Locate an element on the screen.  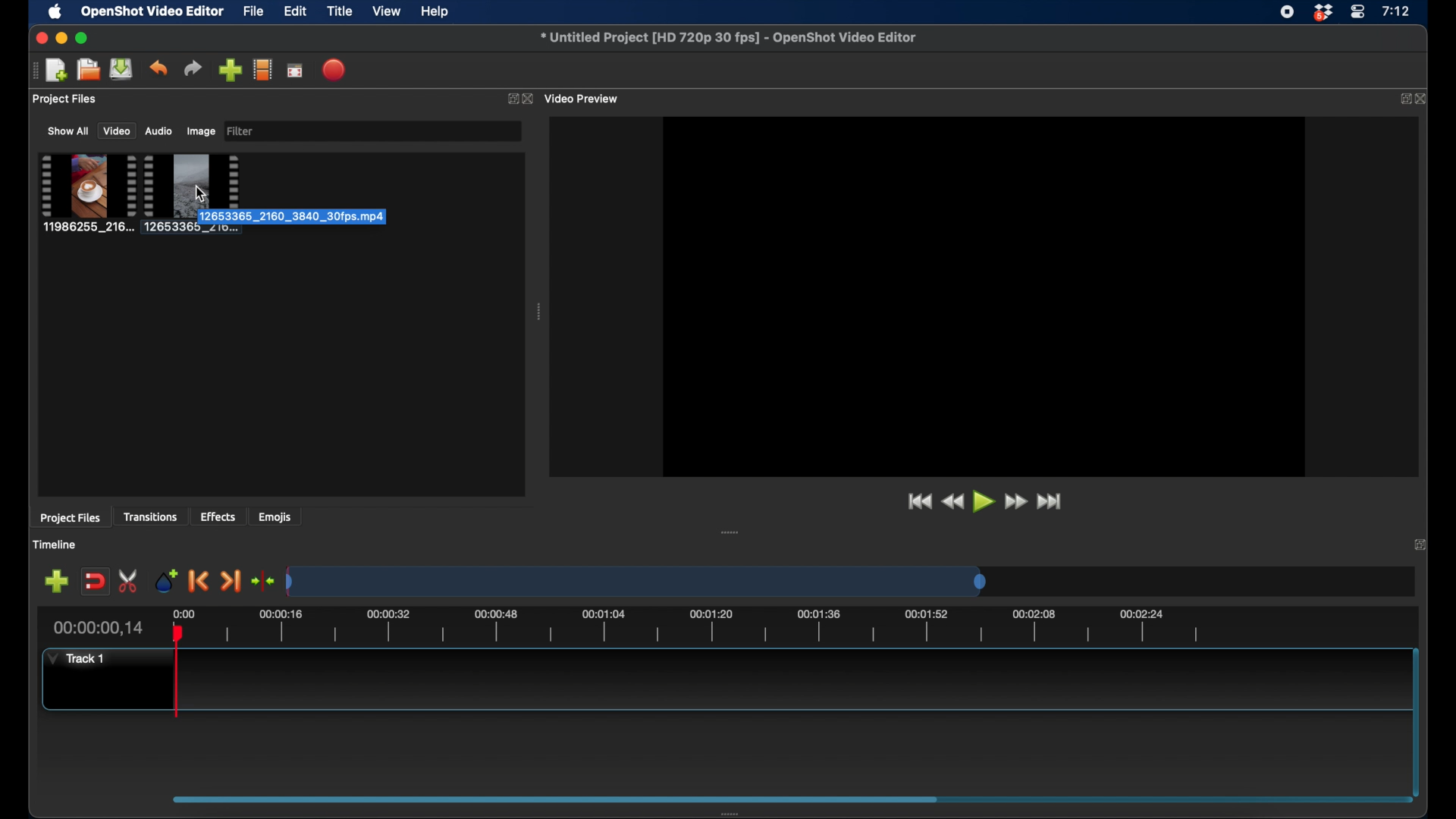
drag handle is located at coordinates (730, 532).